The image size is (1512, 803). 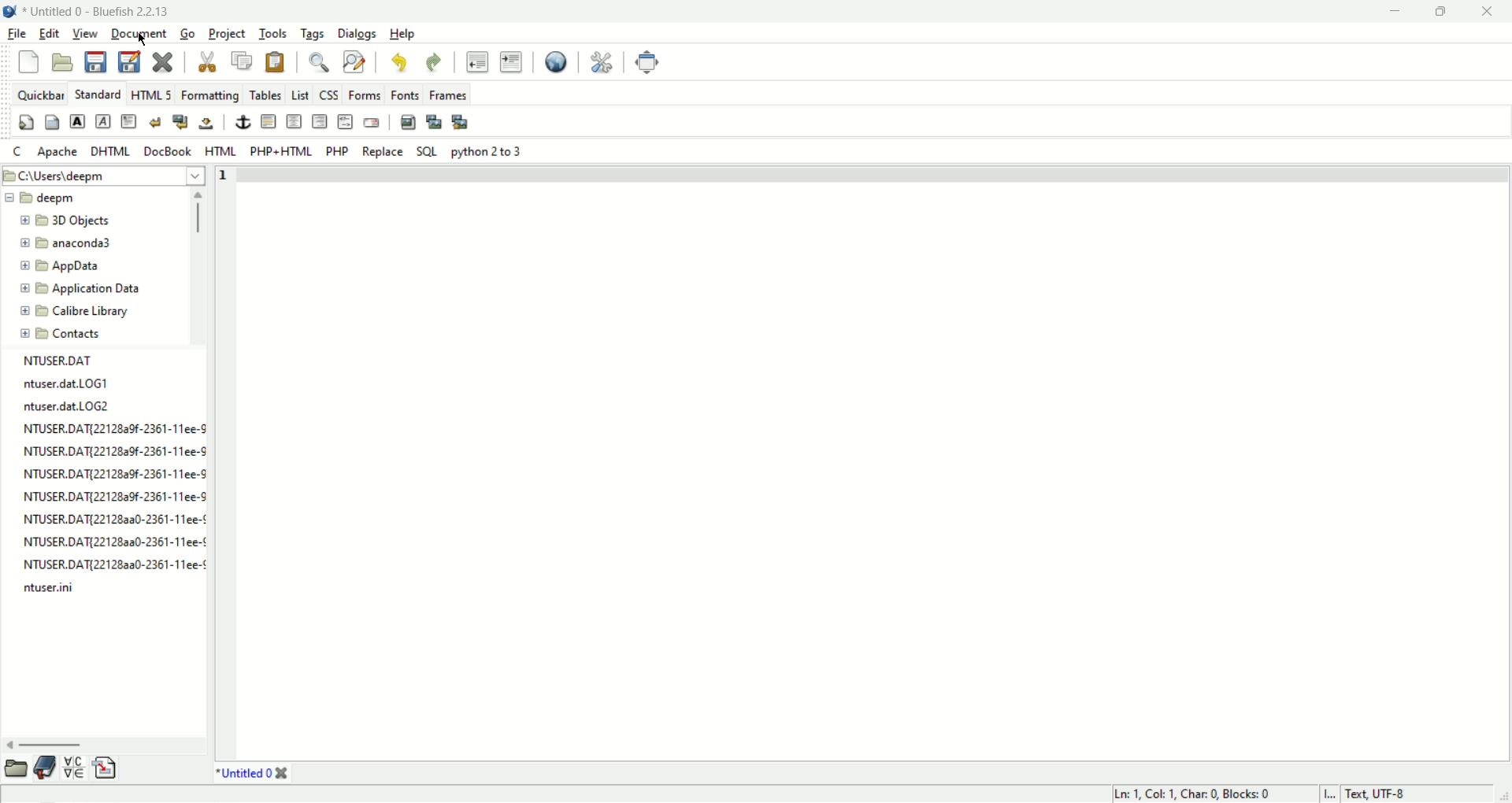 I want to click on quickbar, so click(x=39, y=94).